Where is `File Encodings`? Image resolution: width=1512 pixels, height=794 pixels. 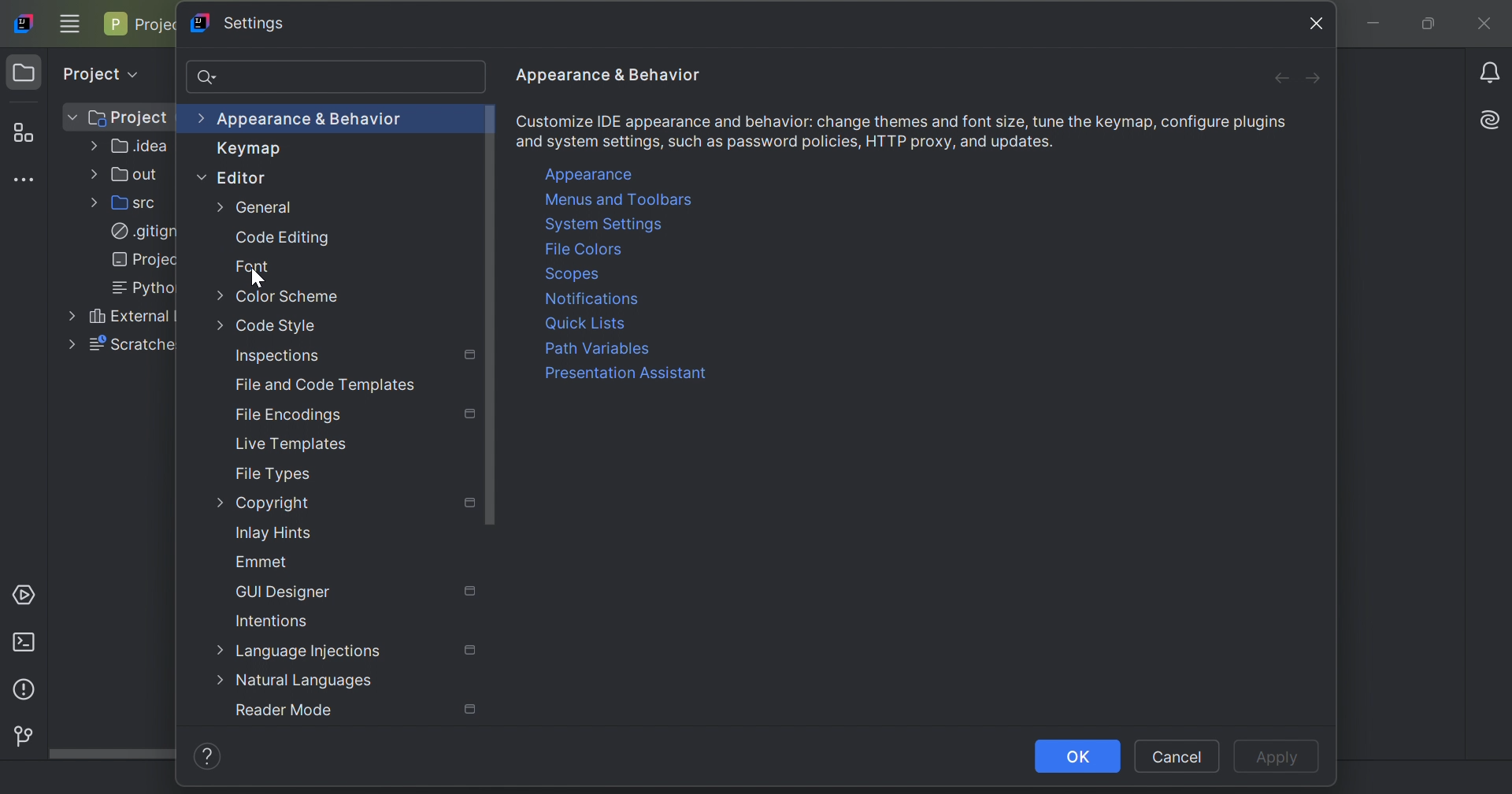 File Encodings is located at coordinates (289, 417).